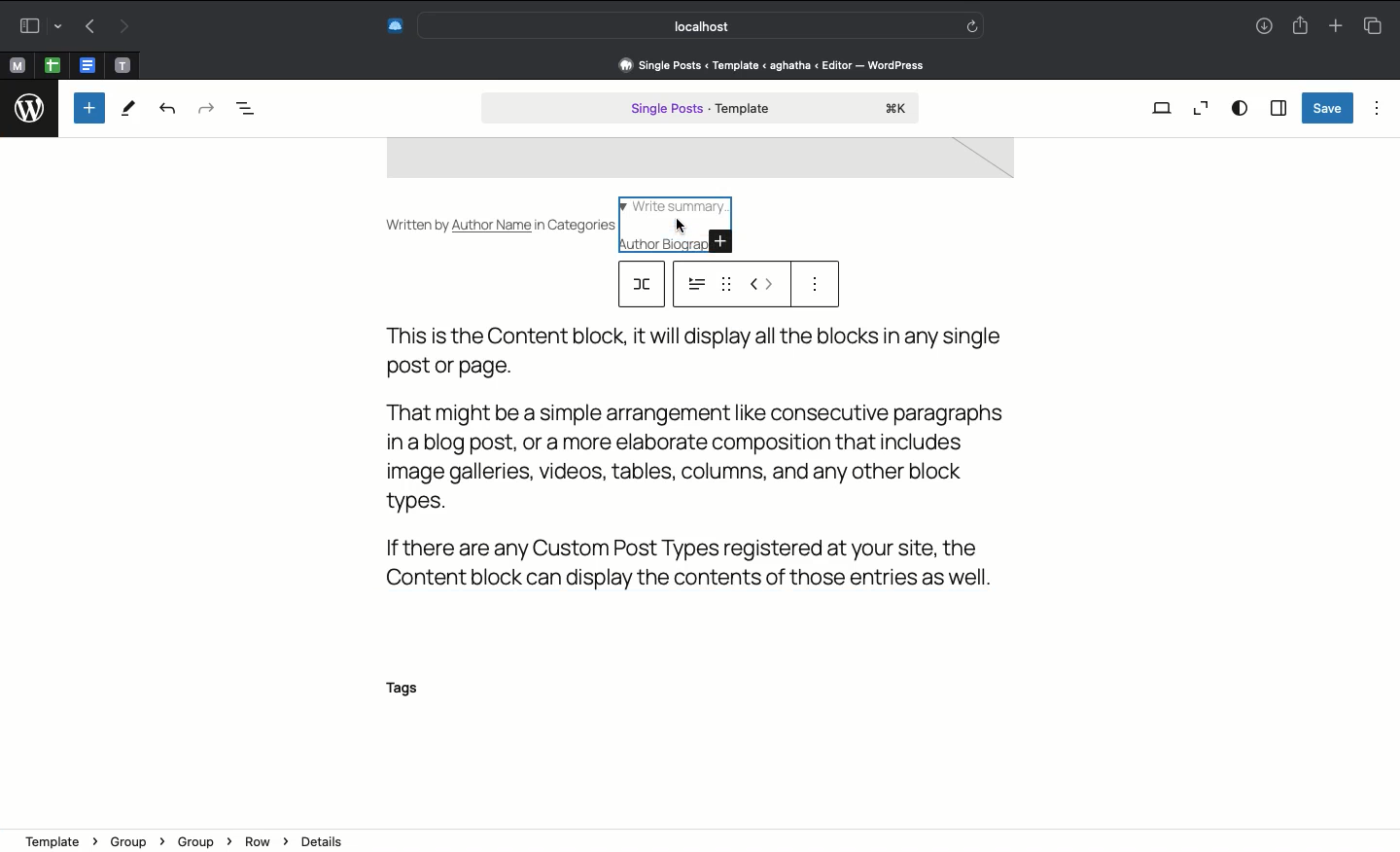  I want to click on logo, so click(31, 104).